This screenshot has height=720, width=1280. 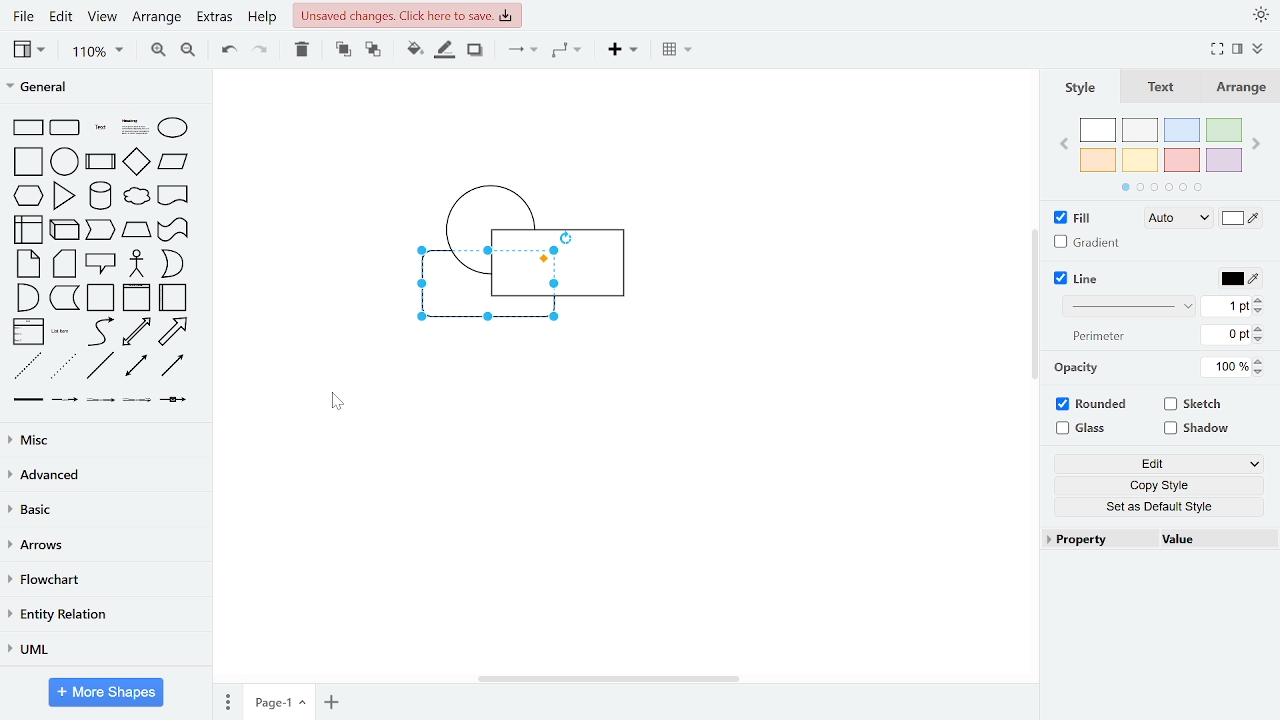 I want to click on internal storage, so click(x=30, y=230).